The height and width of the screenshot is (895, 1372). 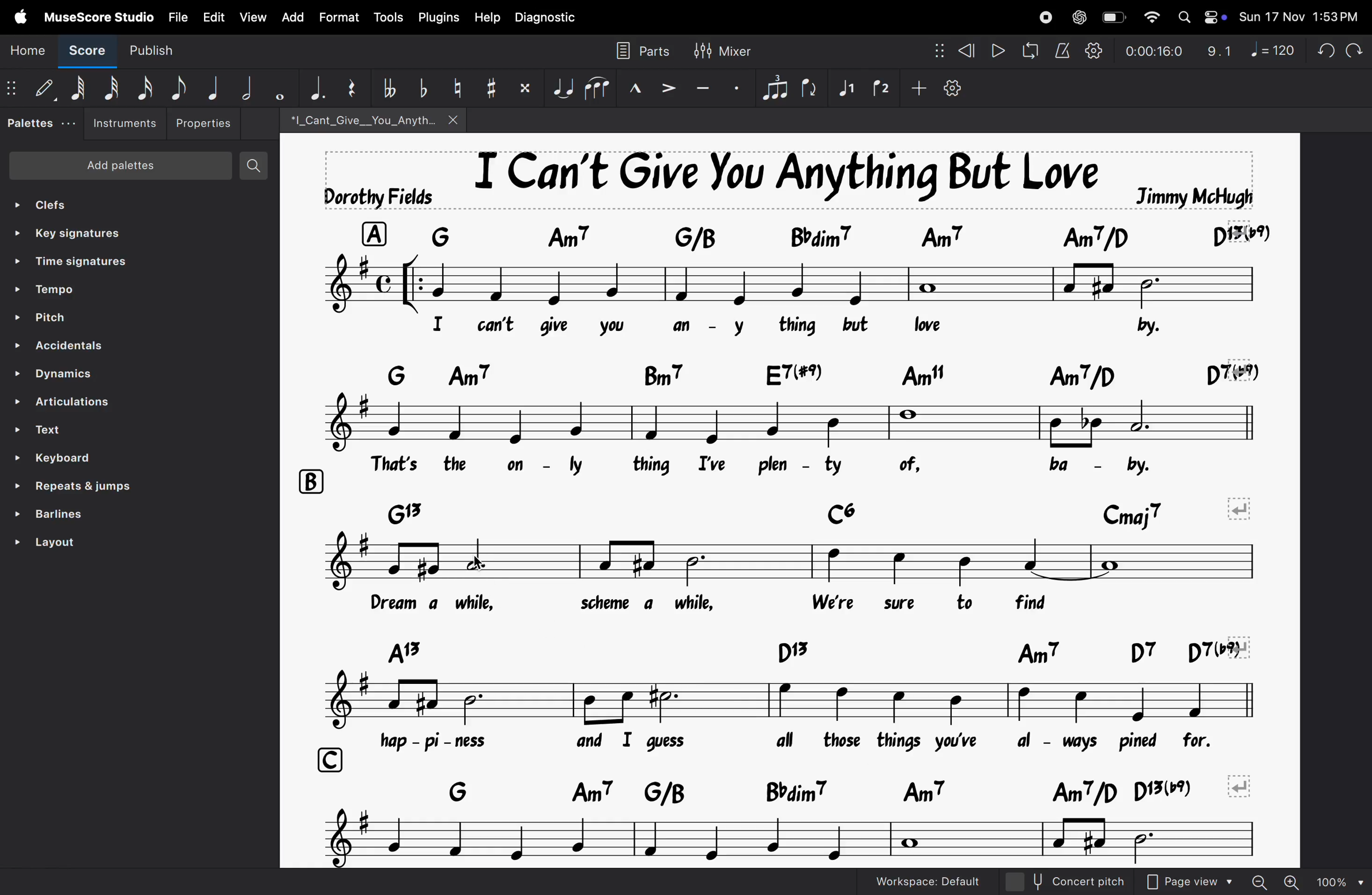 I want to click on Text , so click(x=52, y=428).